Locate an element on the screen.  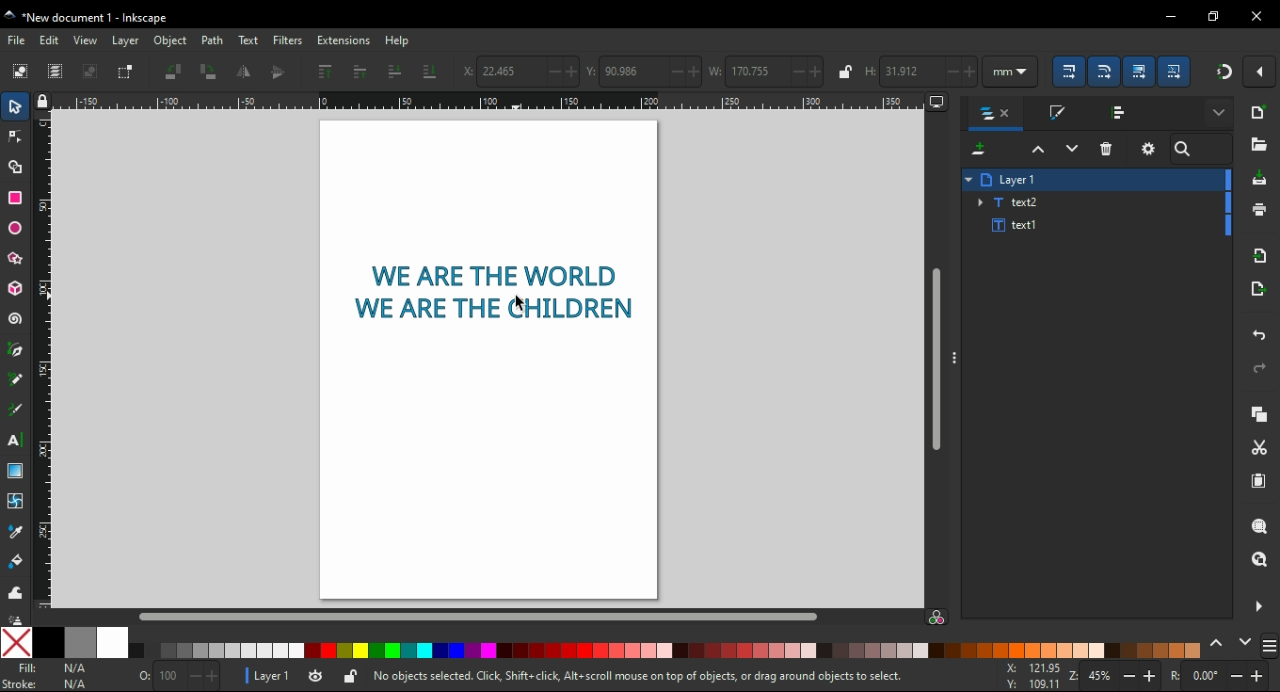
keyboard shortcuts and usage hints is located at coordinates (662, 677).